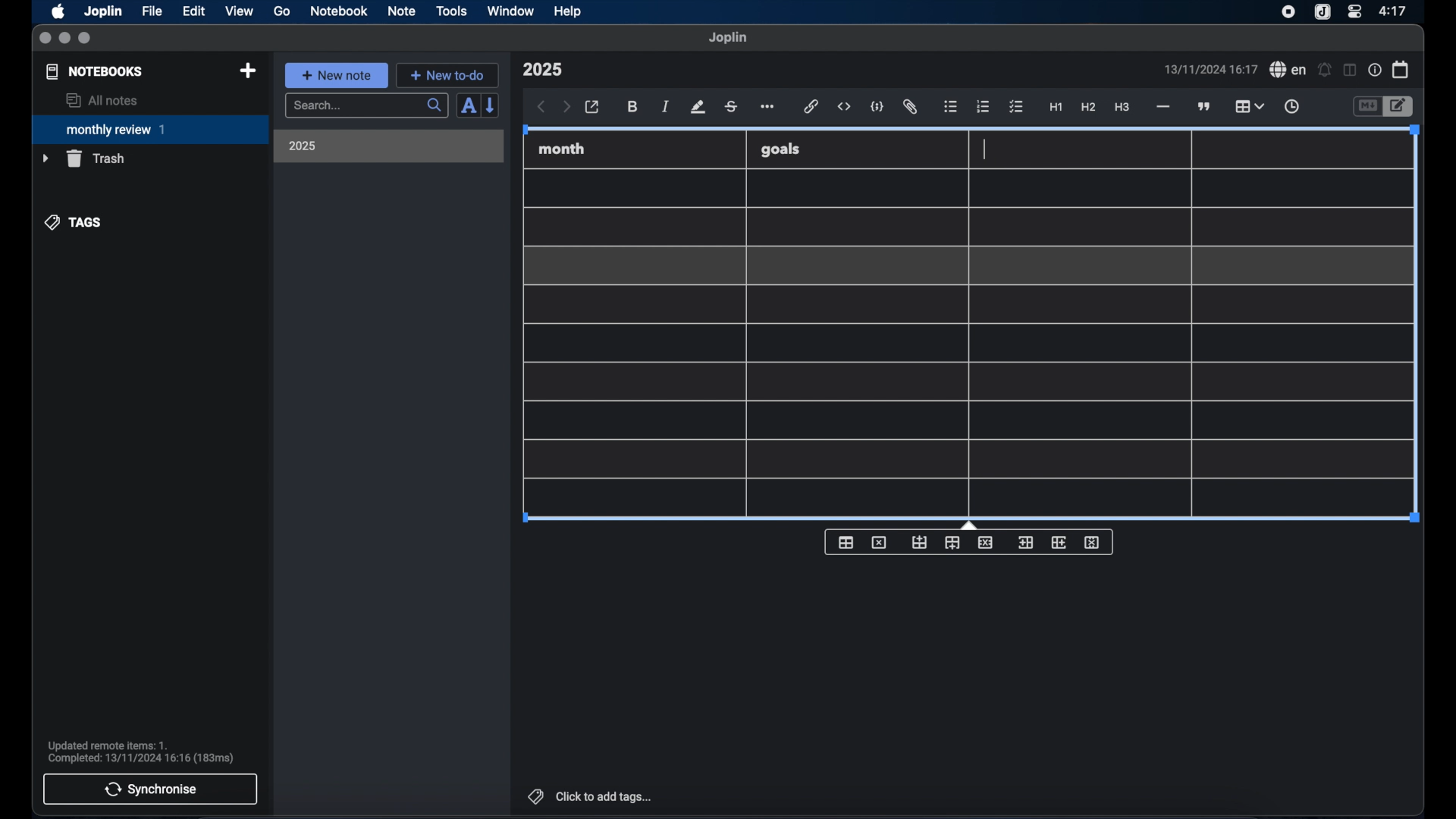  Describe the element at coordinates (728, 37) in the screenshot. I see `joplin` at that location.